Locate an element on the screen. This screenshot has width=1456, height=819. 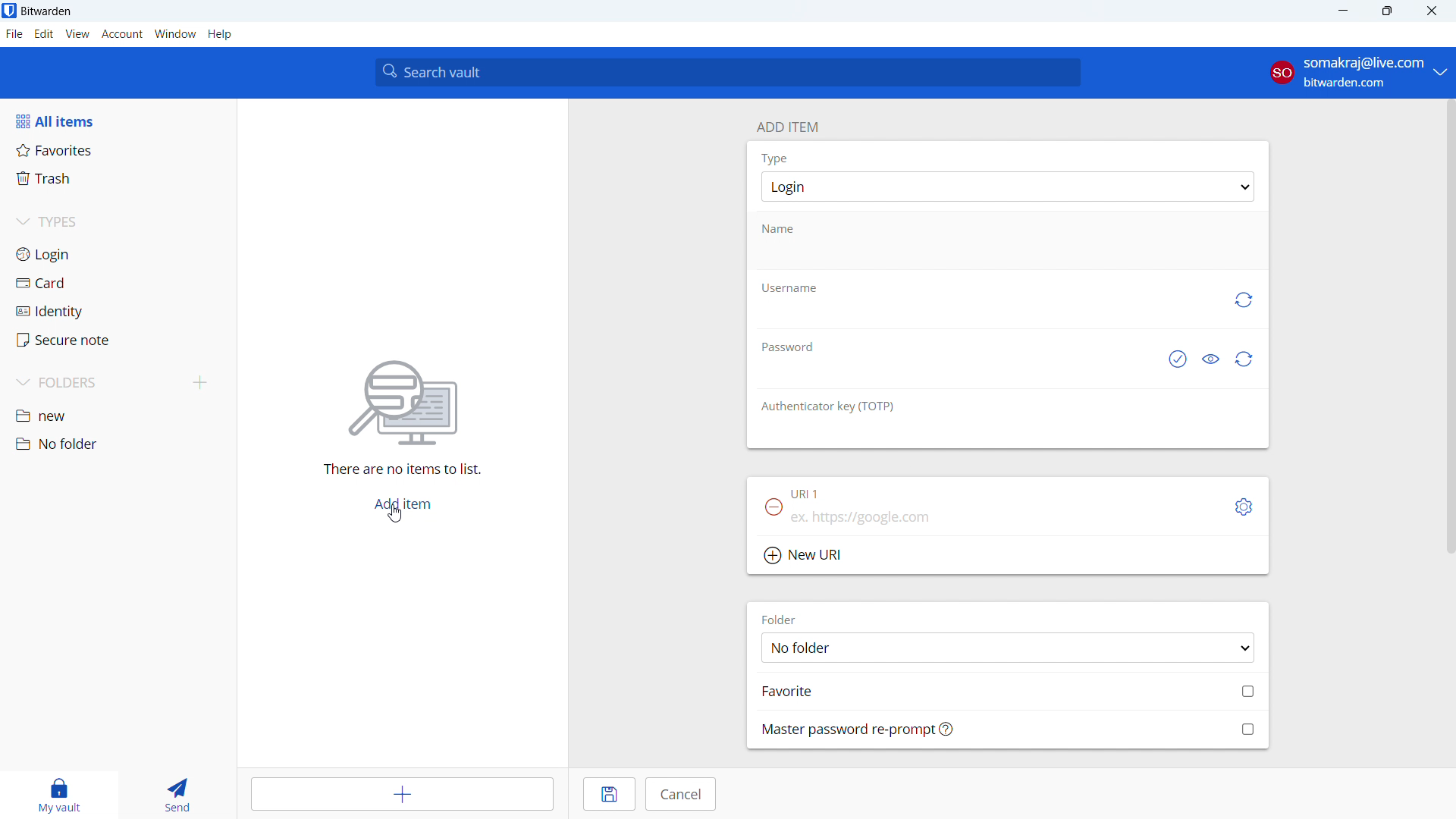
send is located at coordinates (175, 795).